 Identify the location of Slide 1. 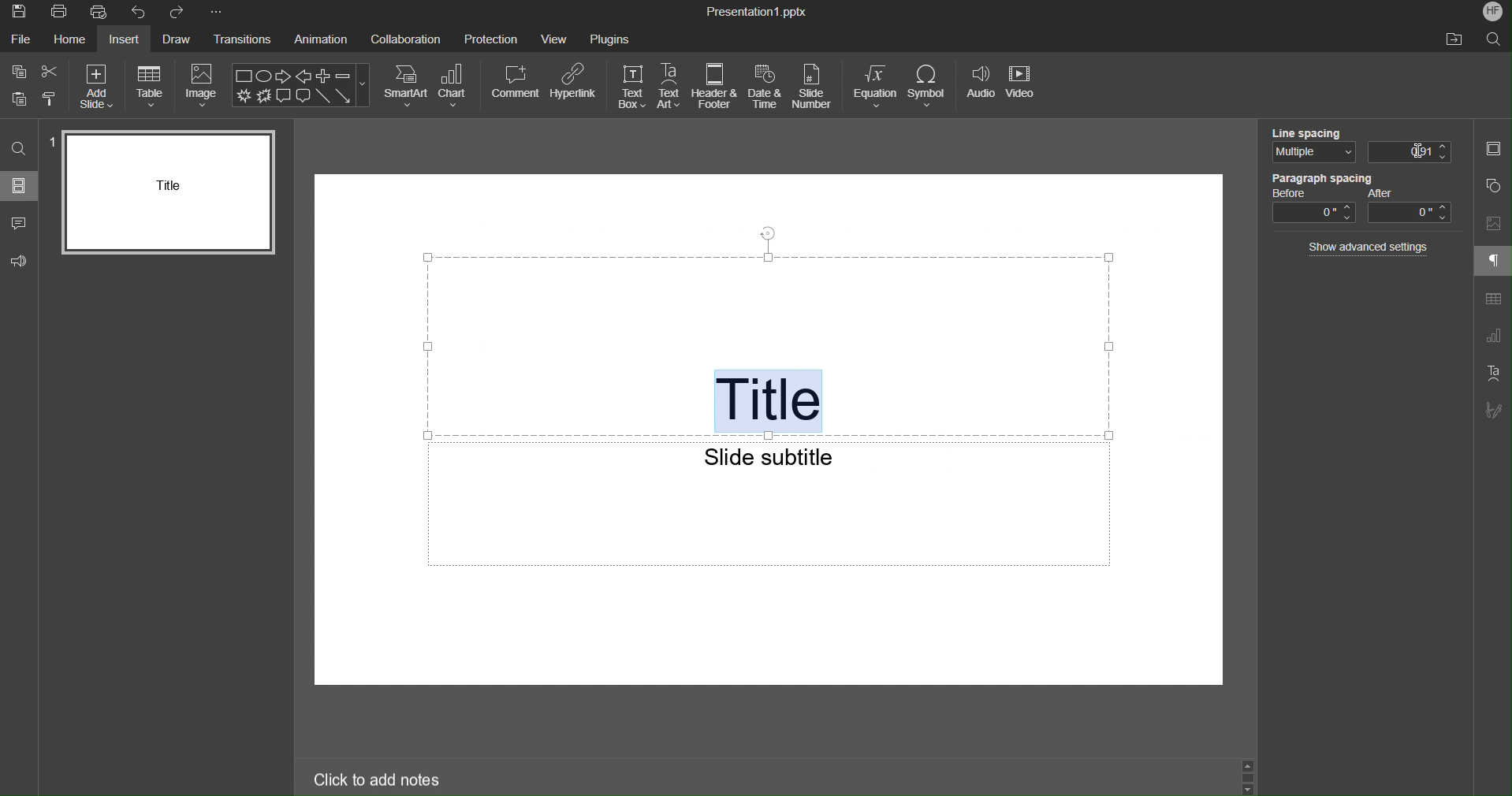
(169, 192).